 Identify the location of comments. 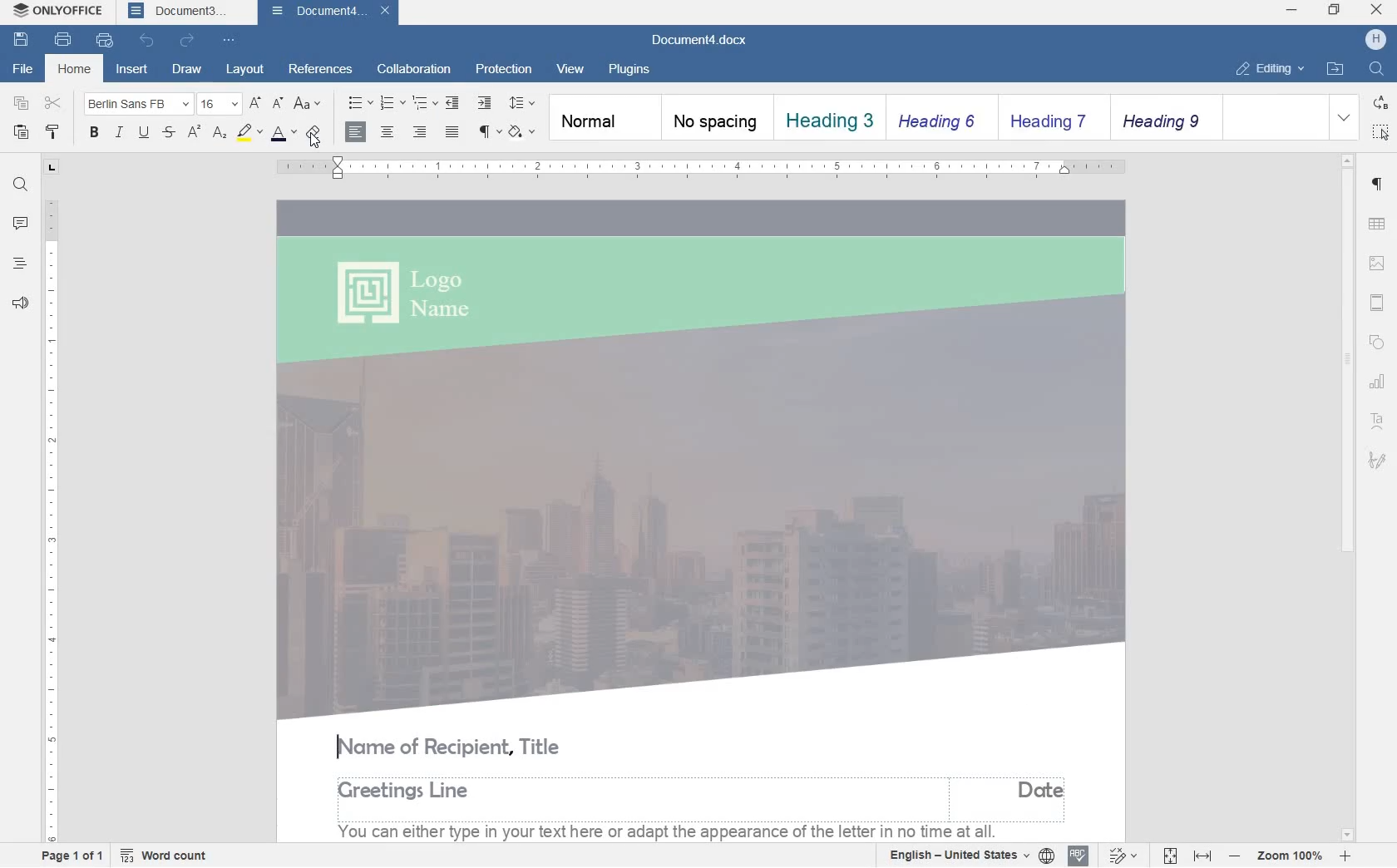
(19, 223).